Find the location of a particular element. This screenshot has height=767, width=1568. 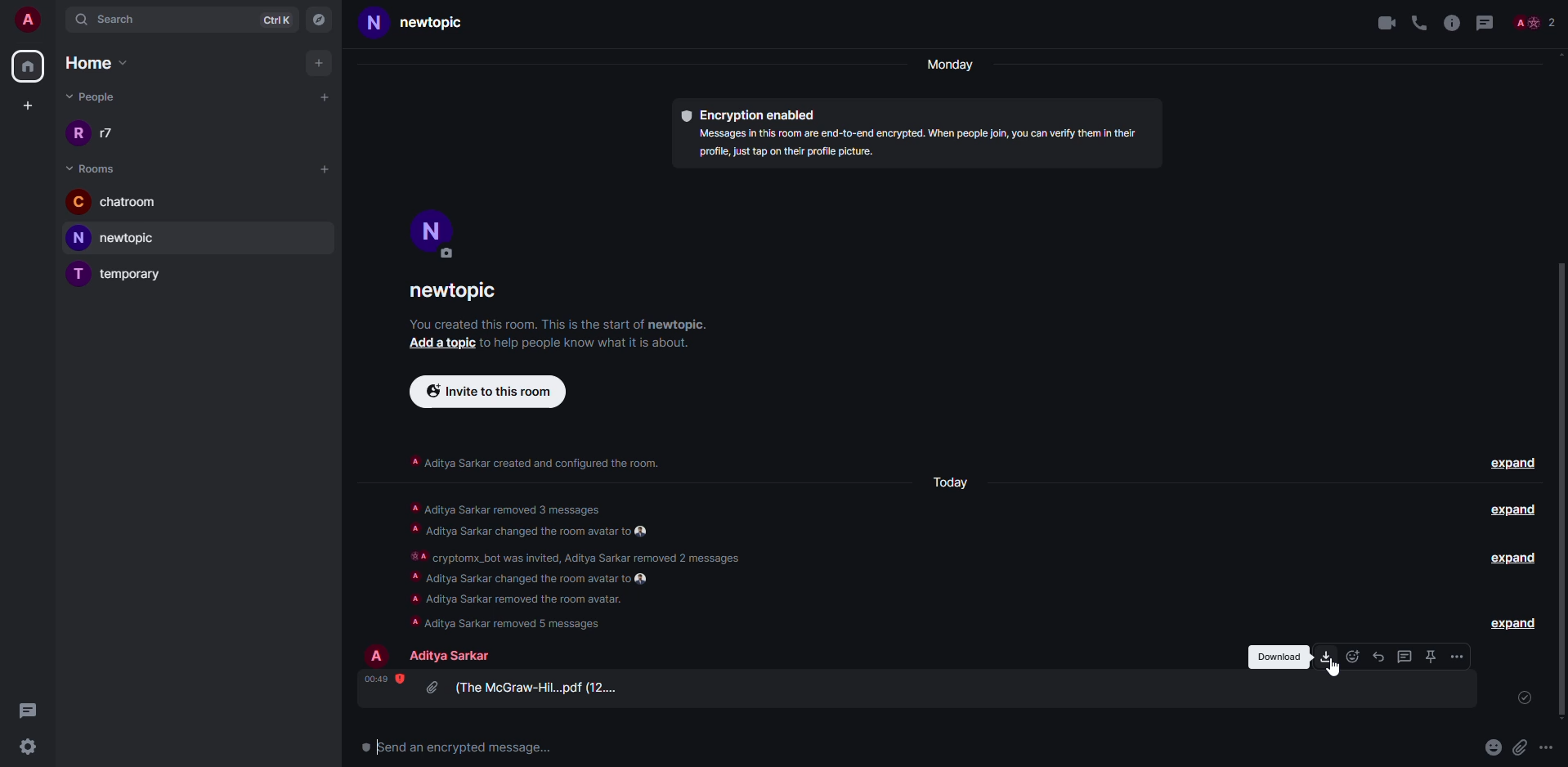

room is located at coordinates (122, 238).